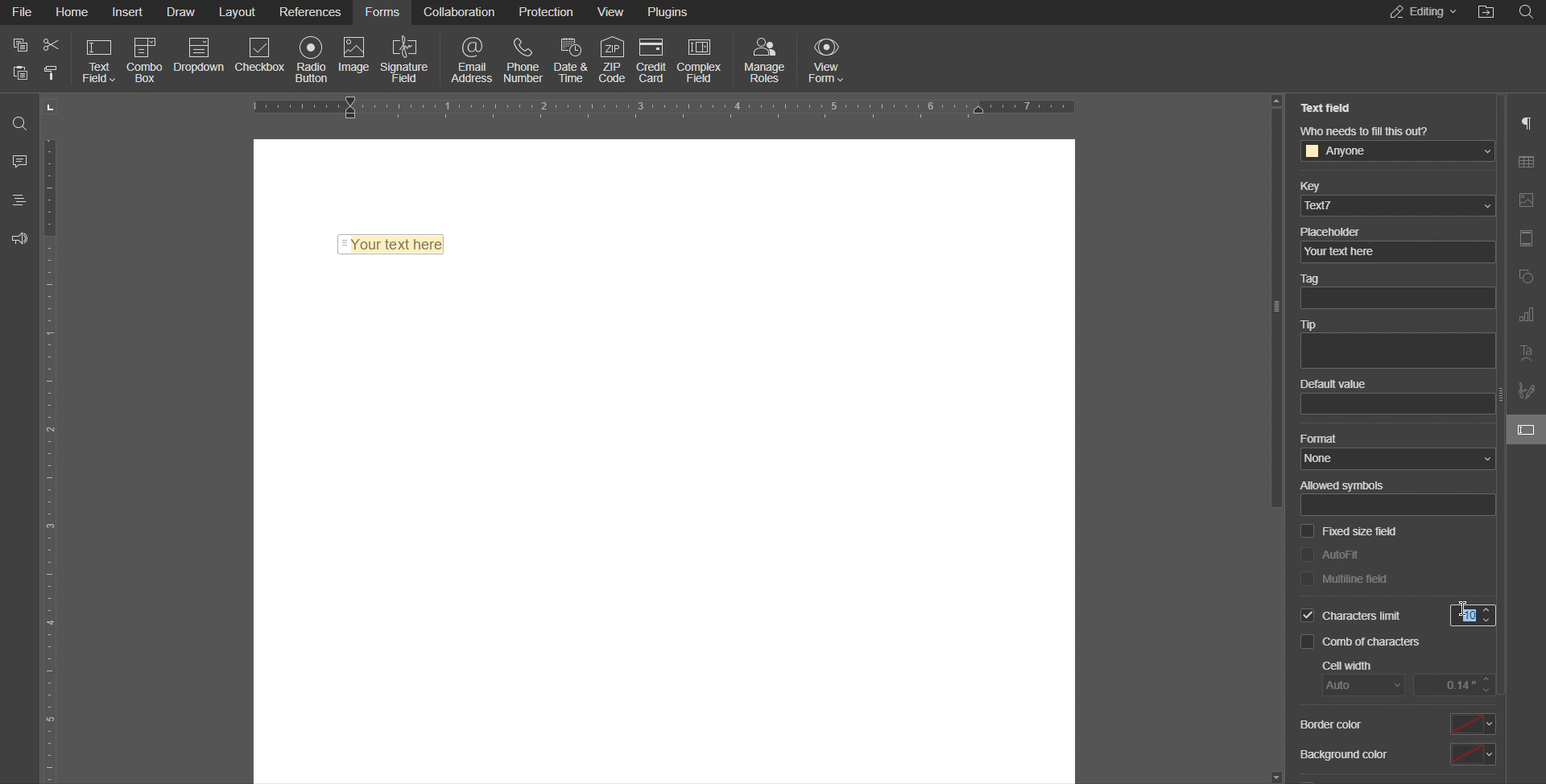 This screenshot has width=1546, height=784. Describe the element at coordinates (1464, 606) in the screenshot. I see `cursor` at that location.